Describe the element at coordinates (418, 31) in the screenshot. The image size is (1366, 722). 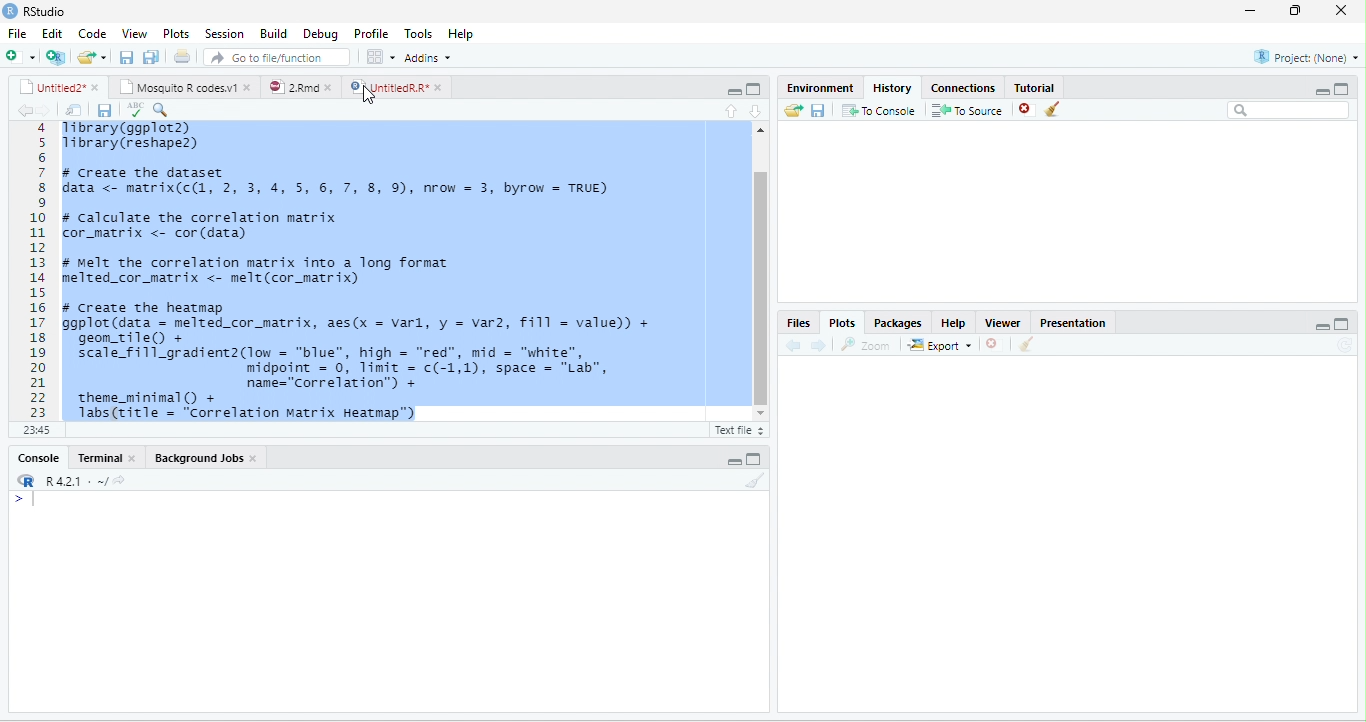
I see `tools` at that location.